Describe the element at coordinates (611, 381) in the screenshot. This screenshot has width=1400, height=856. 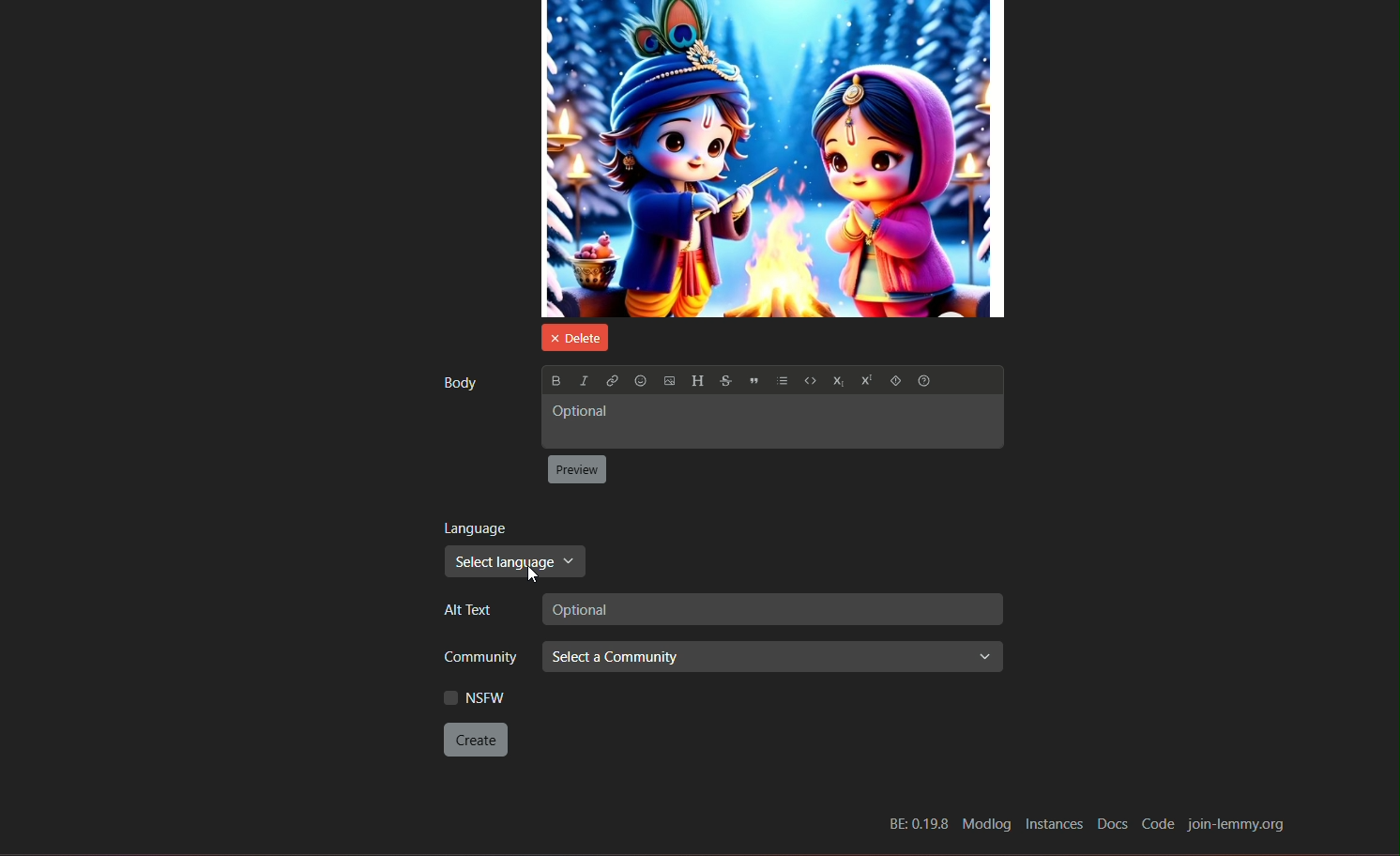
I see `link` at that location.